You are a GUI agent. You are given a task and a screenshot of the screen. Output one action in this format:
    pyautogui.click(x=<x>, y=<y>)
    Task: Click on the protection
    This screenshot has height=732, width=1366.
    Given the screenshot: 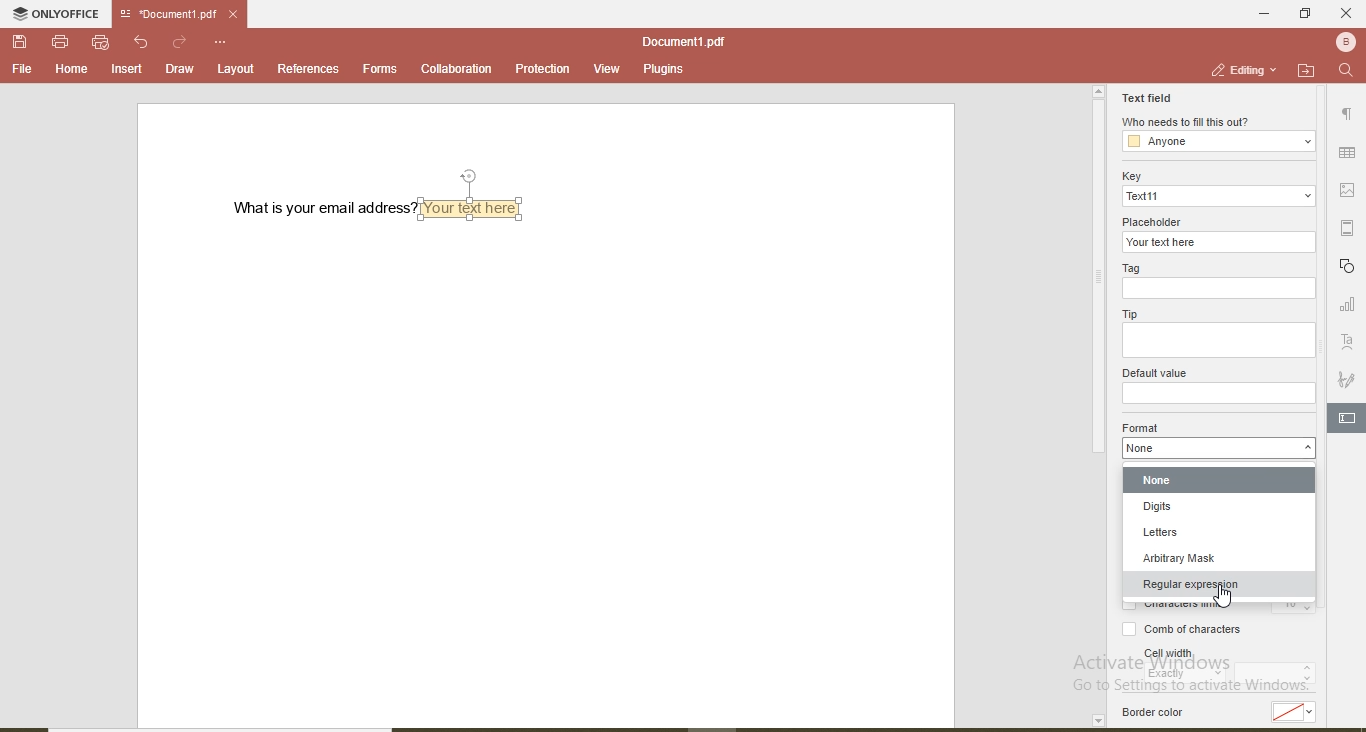 What is the action you would take?
    pyautogui.click(x=541, y=69)
    